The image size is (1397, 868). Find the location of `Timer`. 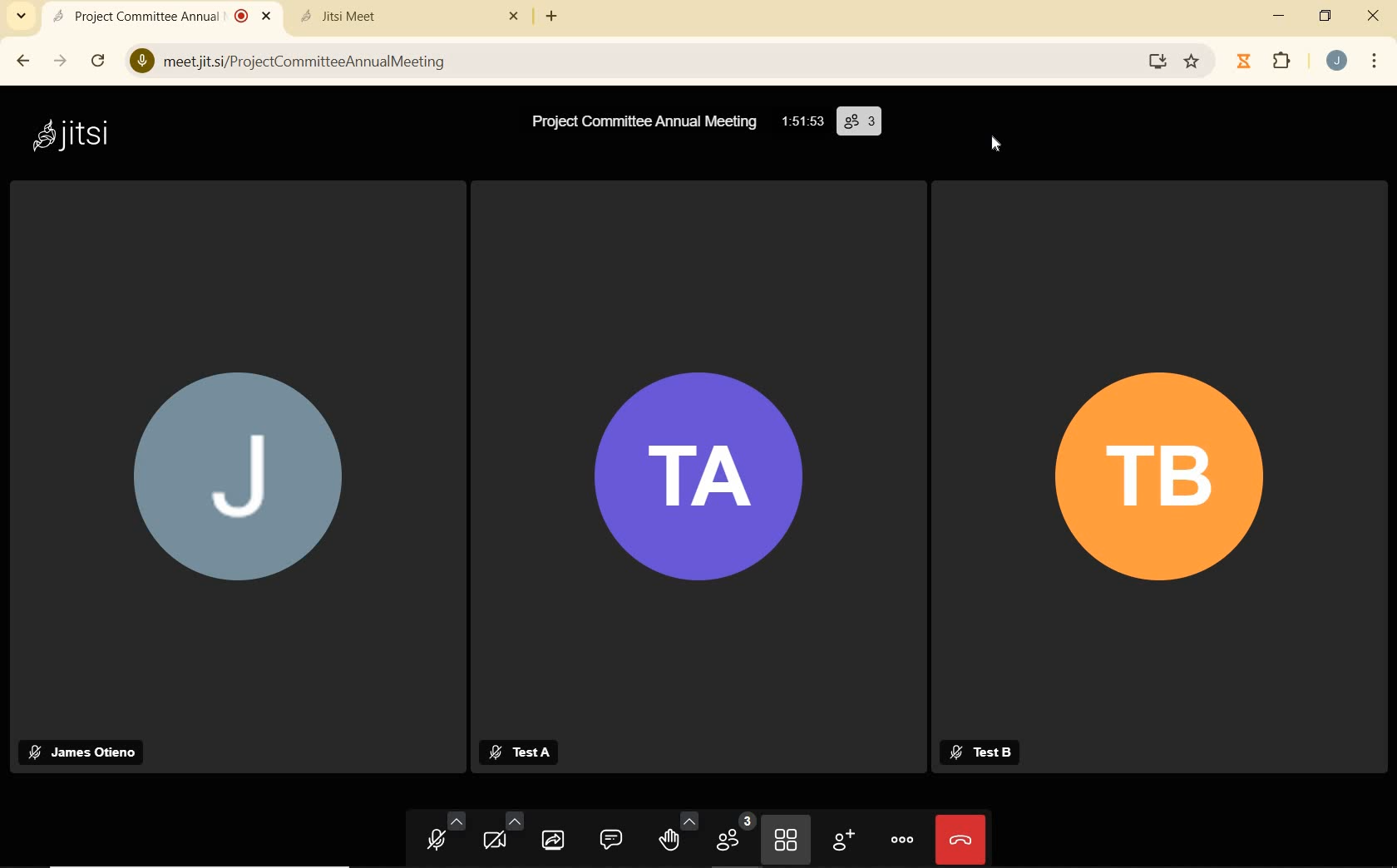

Timer is located at coordinates (1242, 63).